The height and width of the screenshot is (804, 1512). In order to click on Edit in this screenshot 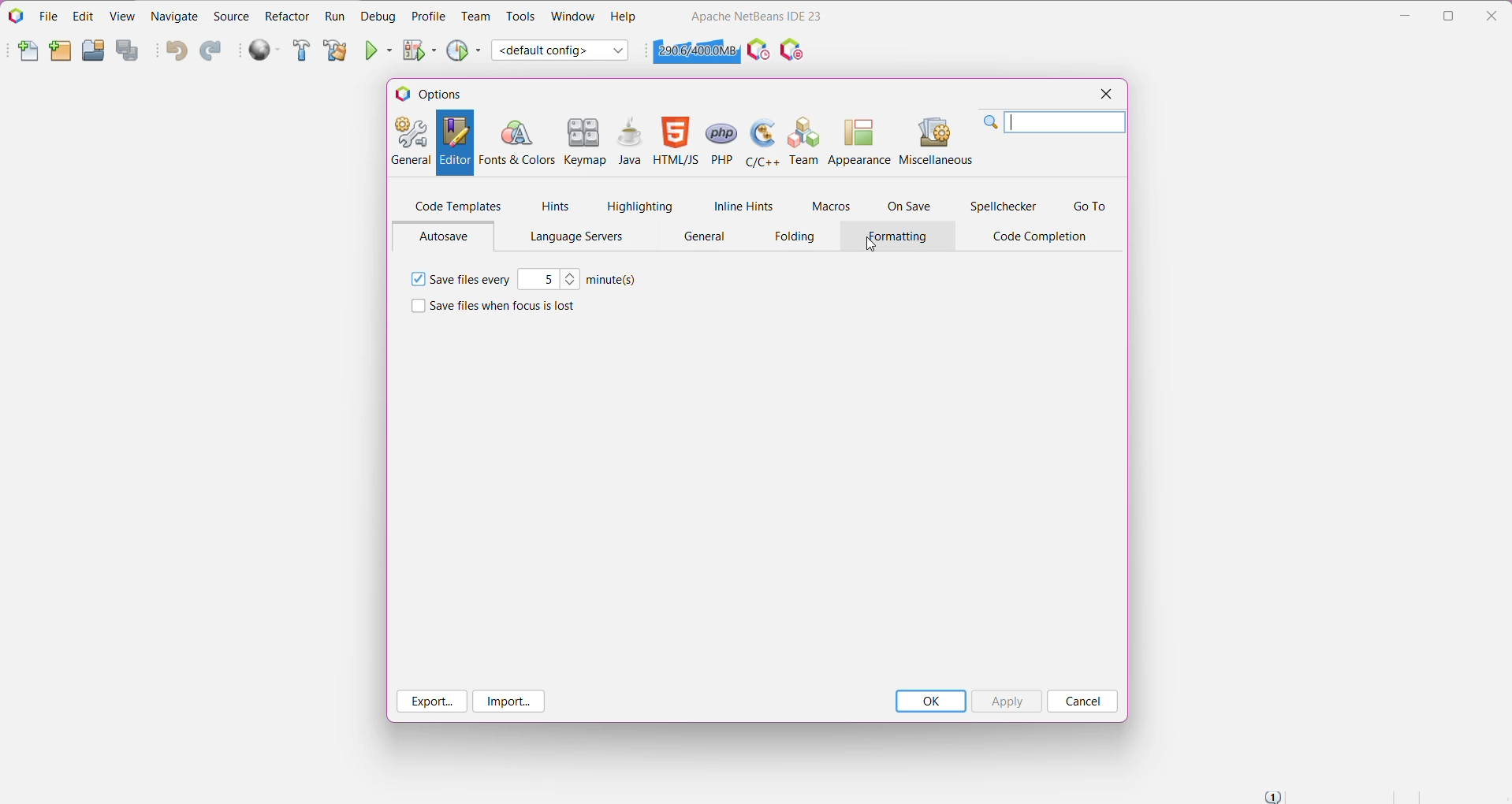, I will do `click(81, 16)`.